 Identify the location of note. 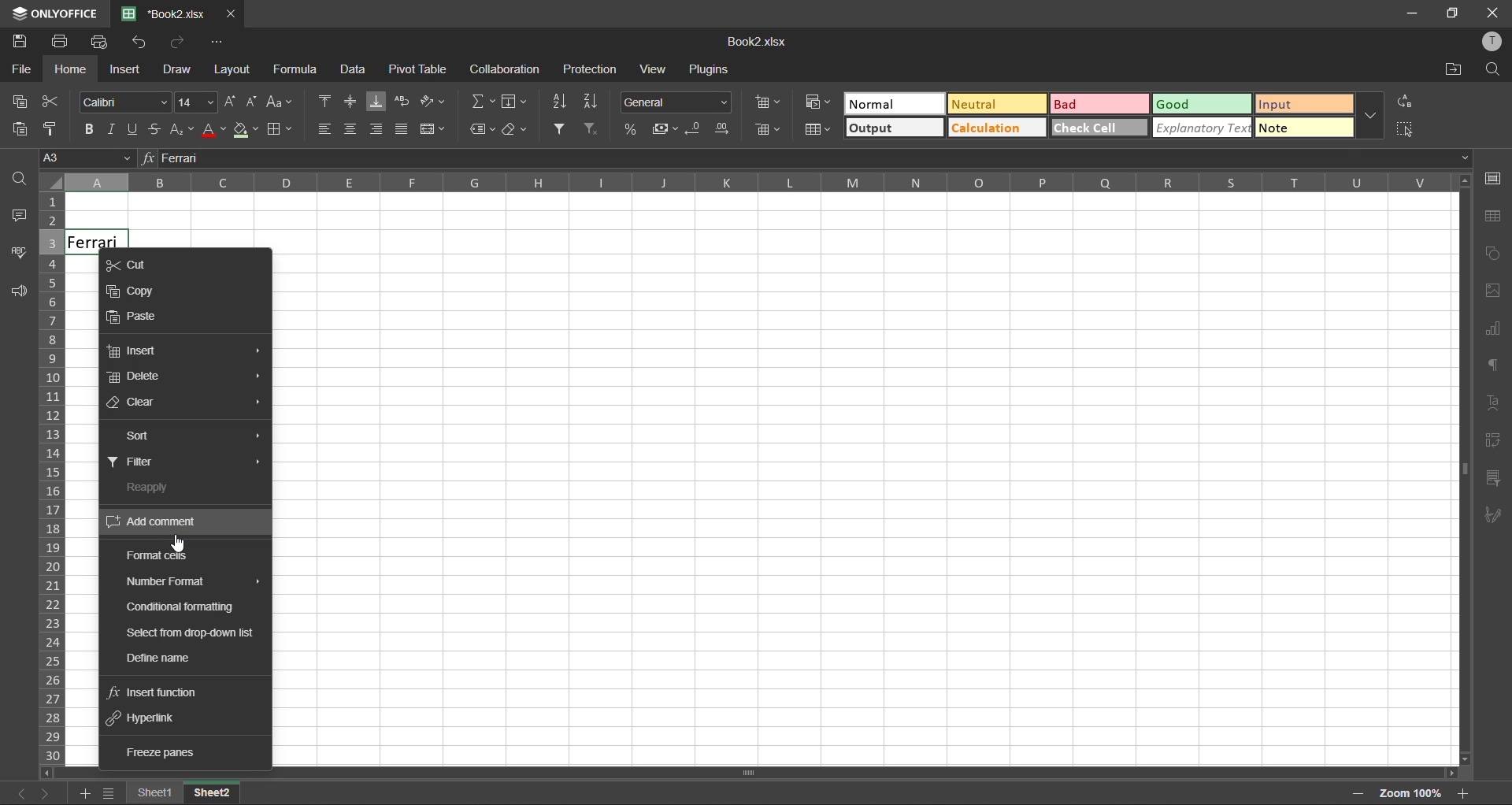
(1304, 128).